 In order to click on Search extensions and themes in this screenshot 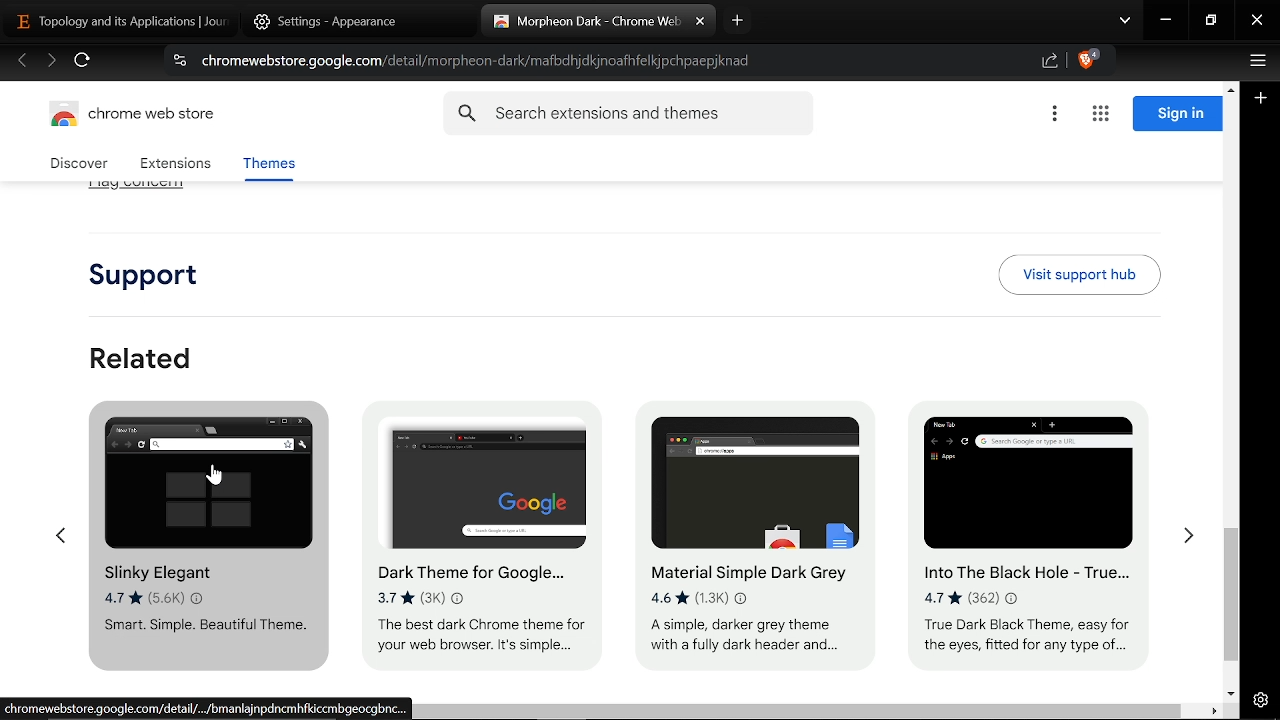, I will do `click(628, 114)`.